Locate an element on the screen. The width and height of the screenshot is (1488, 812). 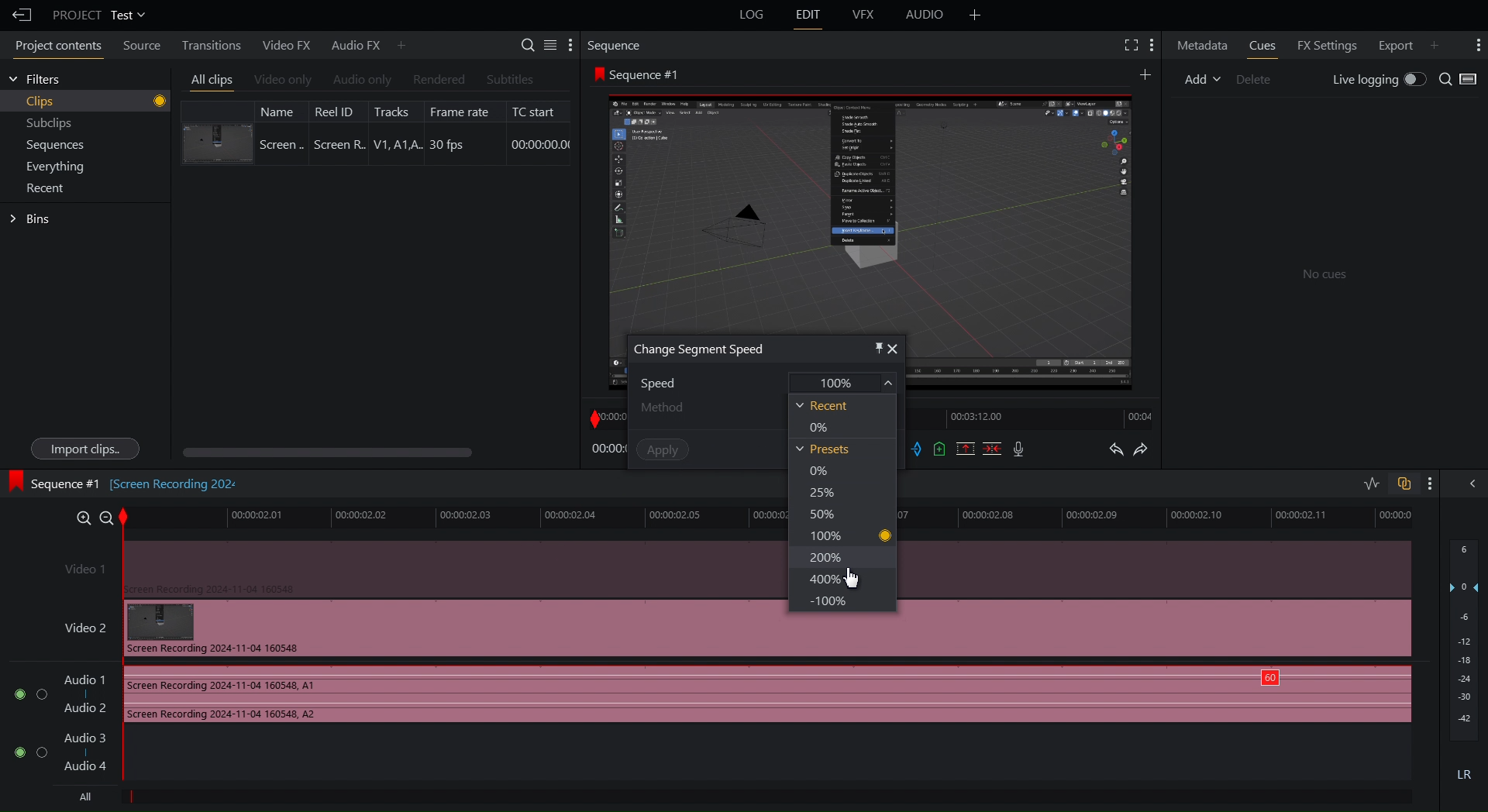
Audio FX is located at coordinates (350, 45).